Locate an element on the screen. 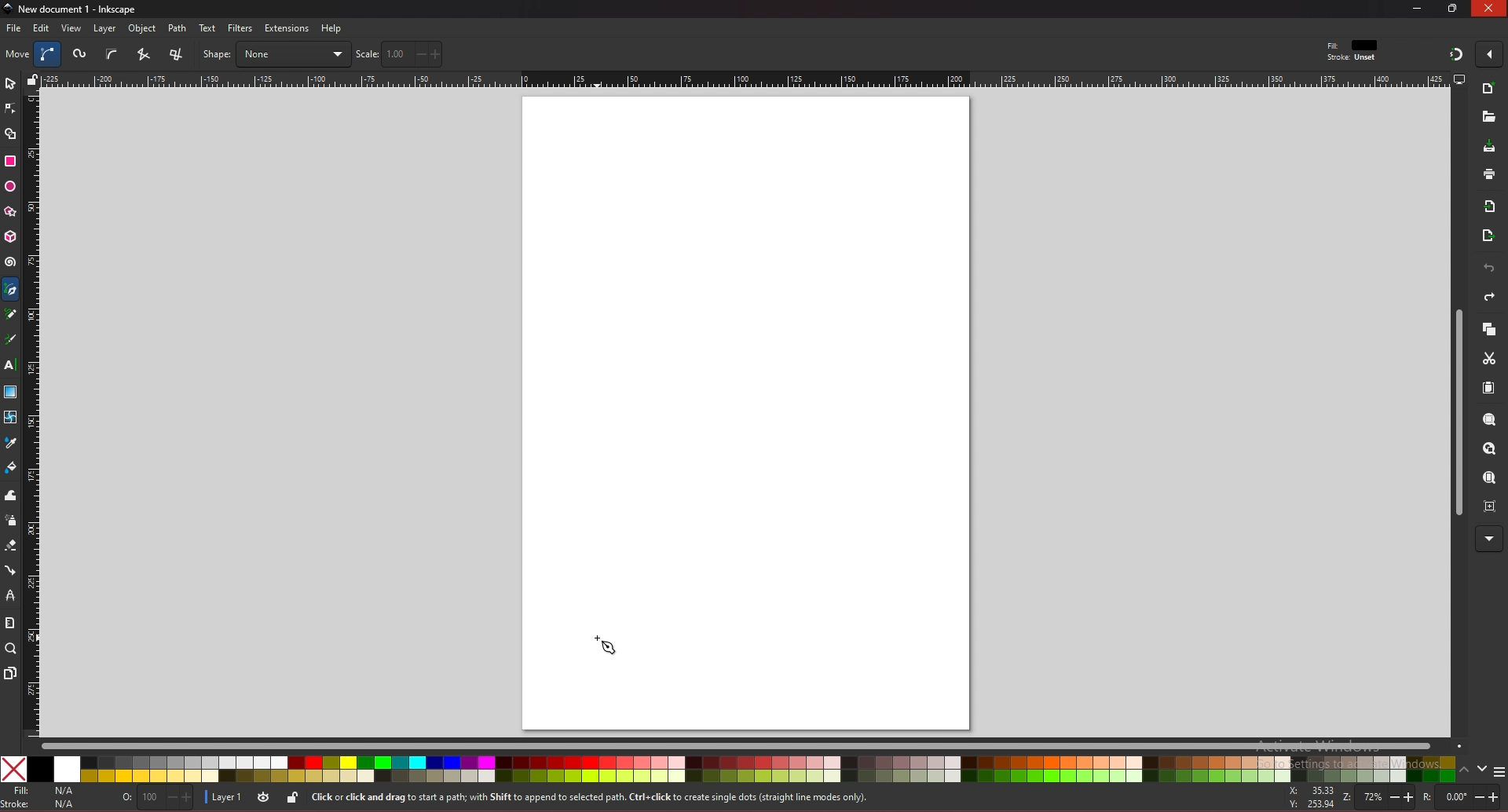  selector is located at coordinates (10, 83).